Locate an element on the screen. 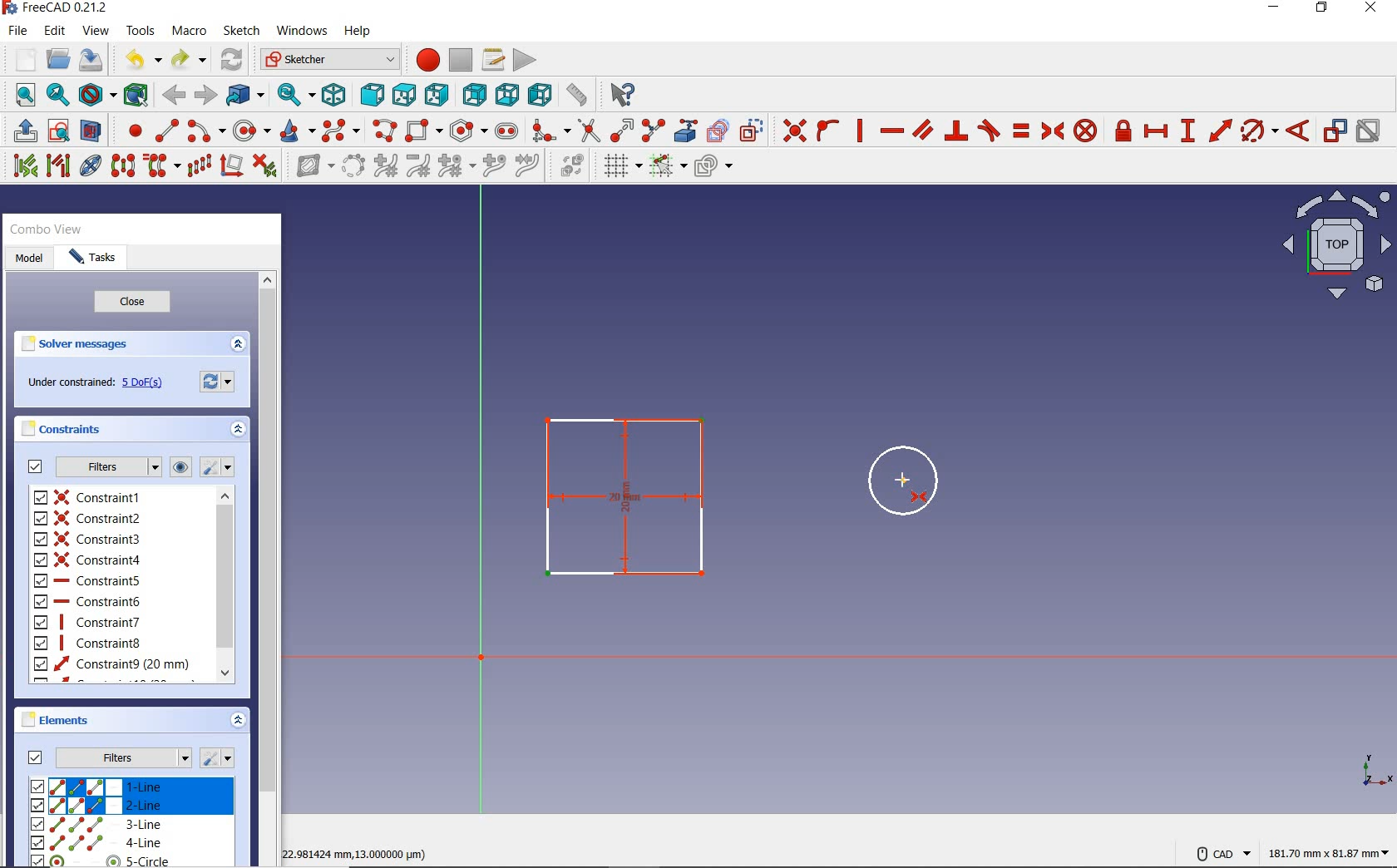  5 DoF(s) is located at coordinates (145, 384).